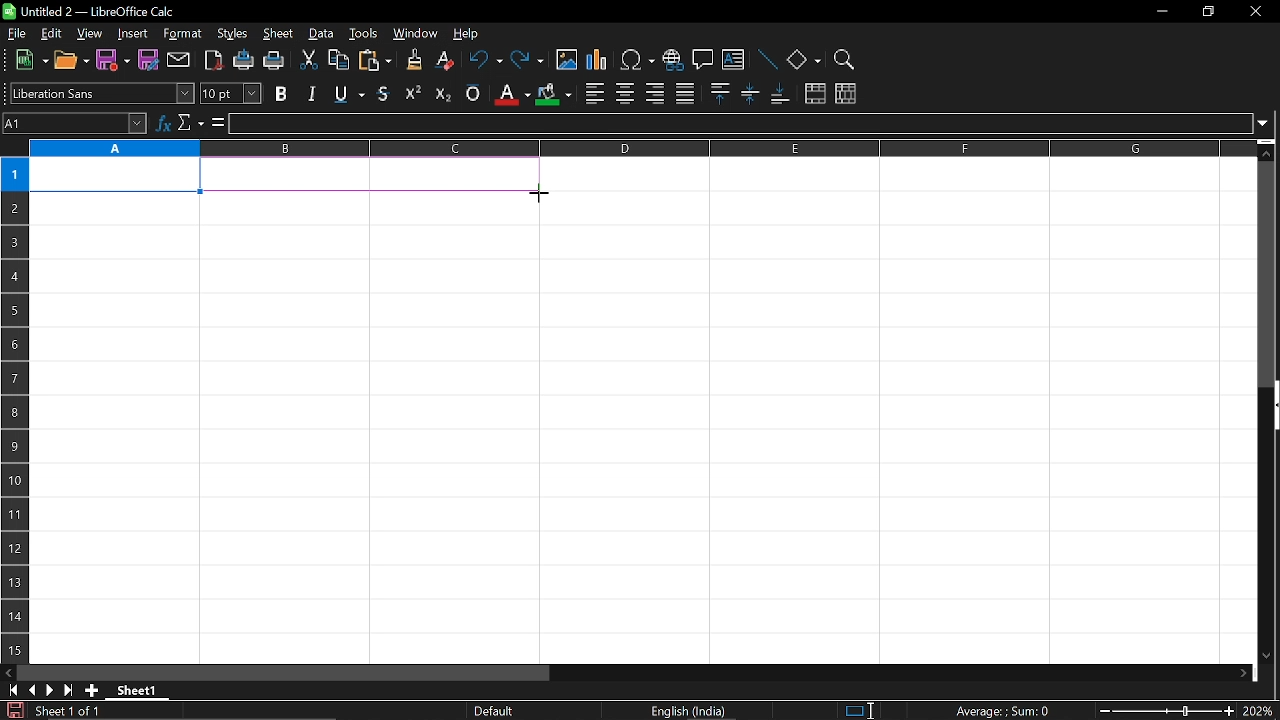  Describe the element at coordinates (442, 61) in the screenshot. I see `eraser` at that location.